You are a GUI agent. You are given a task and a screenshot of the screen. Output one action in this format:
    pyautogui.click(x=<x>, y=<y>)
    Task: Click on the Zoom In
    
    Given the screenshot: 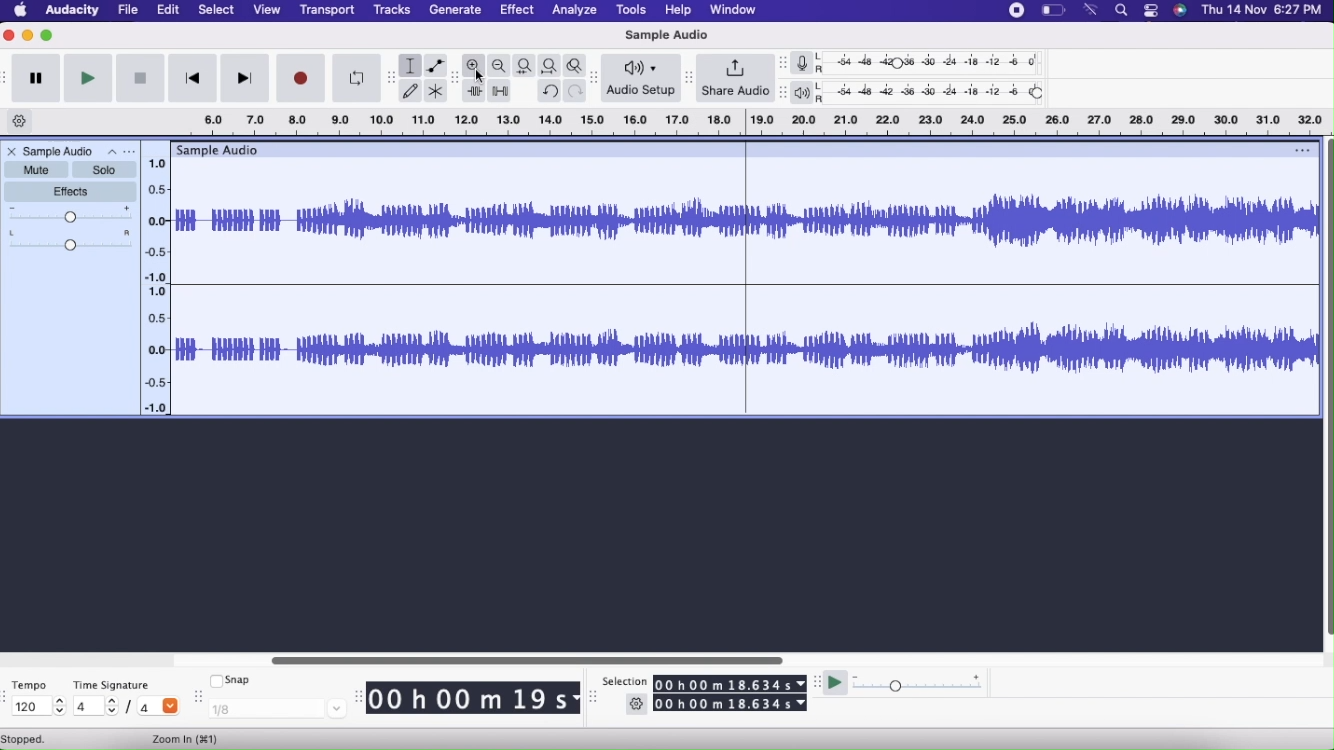 What is the action you would take?
    pyautogui.click(x=474, y=65)
    